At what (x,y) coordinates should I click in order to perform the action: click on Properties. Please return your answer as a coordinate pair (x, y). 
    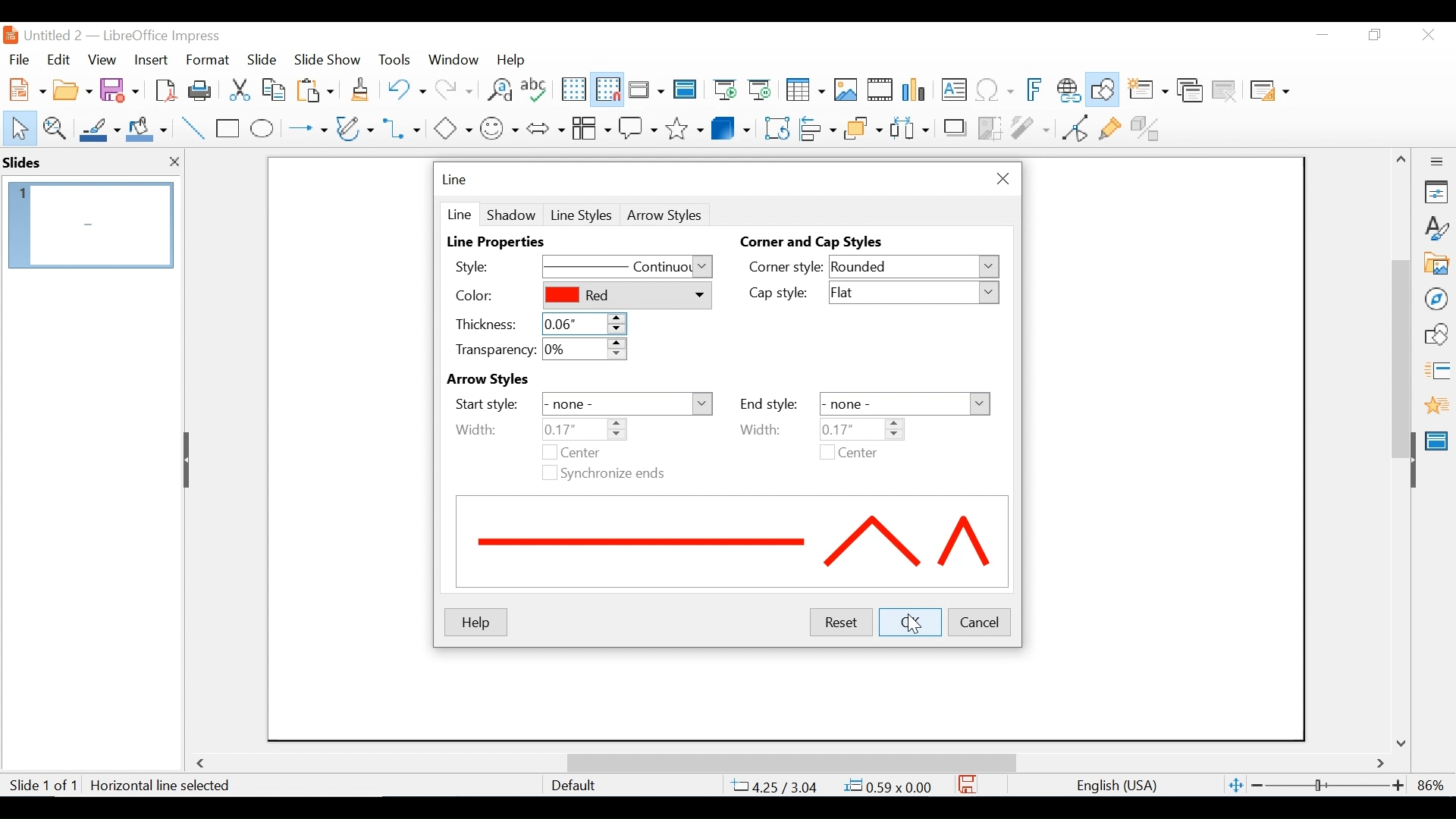
    Looking at the image, I should click on (1436, 192).